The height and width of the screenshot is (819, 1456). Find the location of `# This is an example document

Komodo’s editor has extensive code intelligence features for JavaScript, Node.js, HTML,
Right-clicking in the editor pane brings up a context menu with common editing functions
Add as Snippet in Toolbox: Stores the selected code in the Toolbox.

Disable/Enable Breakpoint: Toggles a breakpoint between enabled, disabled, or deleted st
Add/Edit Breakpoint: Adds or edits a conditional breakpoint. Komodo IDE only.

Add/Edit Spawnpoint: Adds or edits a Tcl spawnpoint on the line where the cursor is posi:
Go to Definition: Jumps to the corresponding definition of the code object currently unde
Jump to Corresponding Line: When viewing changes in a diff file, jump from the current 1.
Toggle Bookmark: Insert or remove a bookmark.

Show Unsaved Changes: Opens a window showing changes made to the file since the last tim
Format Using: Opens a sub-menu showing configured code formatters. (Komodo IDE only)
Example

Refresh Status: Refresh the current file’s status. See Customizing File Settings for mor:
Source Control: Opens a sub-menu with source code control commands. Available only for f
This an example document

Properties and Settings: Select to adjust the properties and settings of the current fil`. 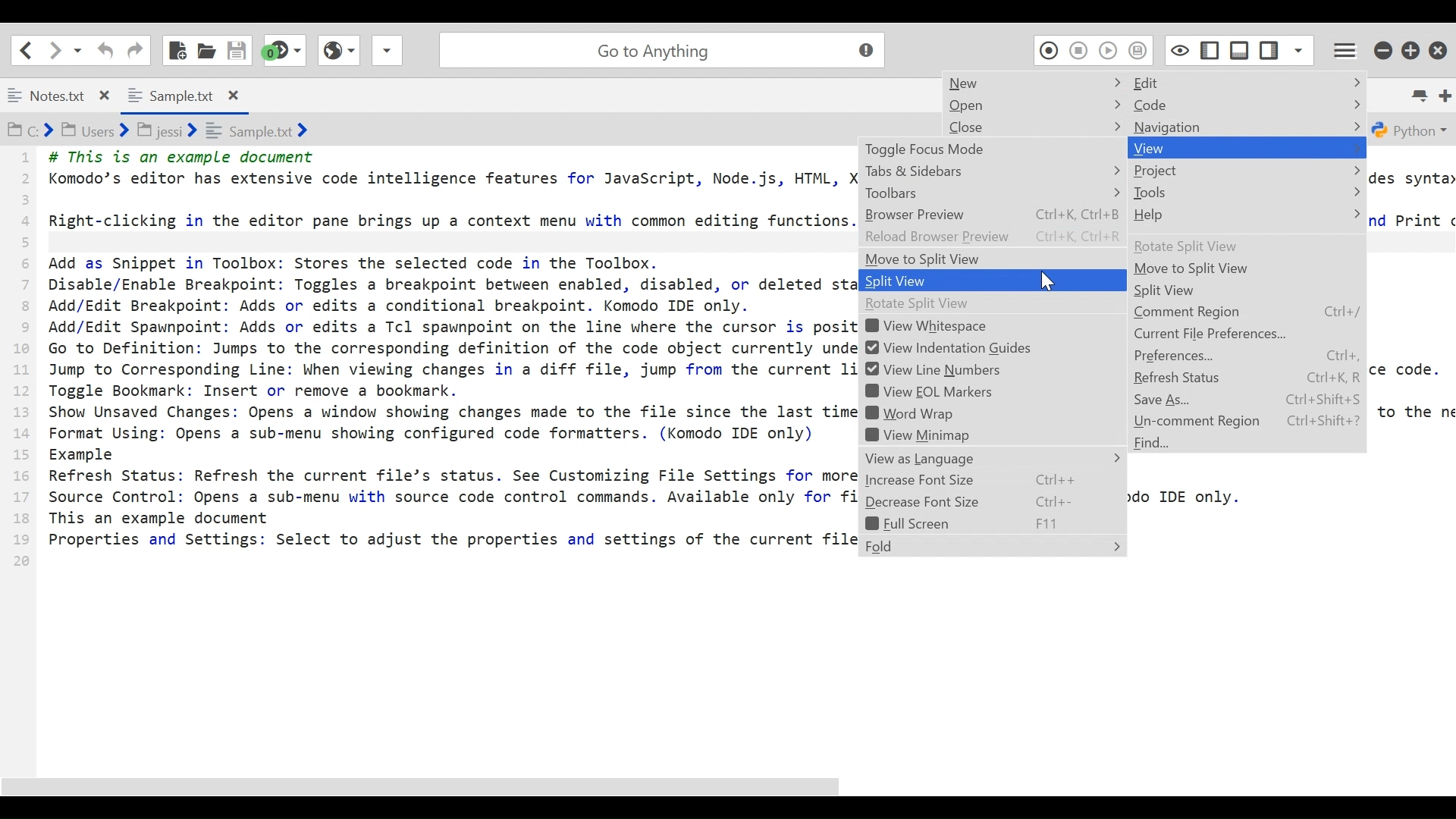

# This is an example document

Komodo’s editor has extensive code intelligence features for JavaScript, Node.js, HTML,
Right-clicking in the editor pane brings up a context menu with common editing functions
Add as Snippet in Toolbox: Stores the selected code in the Toolbox.

Disable/Enable Breakpoint: Toggles a breakpoint between enabled, disabled, or deleted st
Add/Edit Breakpoint: Adds or edits a conditional breakpoint. Komodo IDE only.

Add/Edit Spawnpoint: Adds or edits a Tcl spawnpoint on the line where the cursor is posi:
Go to Definition: Jumps to the corresponding definition of the code object currently unde
Jump to Corresponding Line: When viewing changes in a diff file, jump from the current 1.
Toggle Bookmark: Insert or remove a bookmark.

Show Unsaved Changes: Opens a window showing changes made to the file since the last tim
Format Using: Opens a sub-menu showing configured code formatters. (Komodo IDE only)
Example

Refresh Status: Refresh the current file’s status. See Customizing File Settings for mor:
Source Control: Opens a sub-menu with source code control commands. Available only for f
This an example document

Properties and Settings: Select to adjust the properties and settings of the current fil is located at coordinates (447, 365).